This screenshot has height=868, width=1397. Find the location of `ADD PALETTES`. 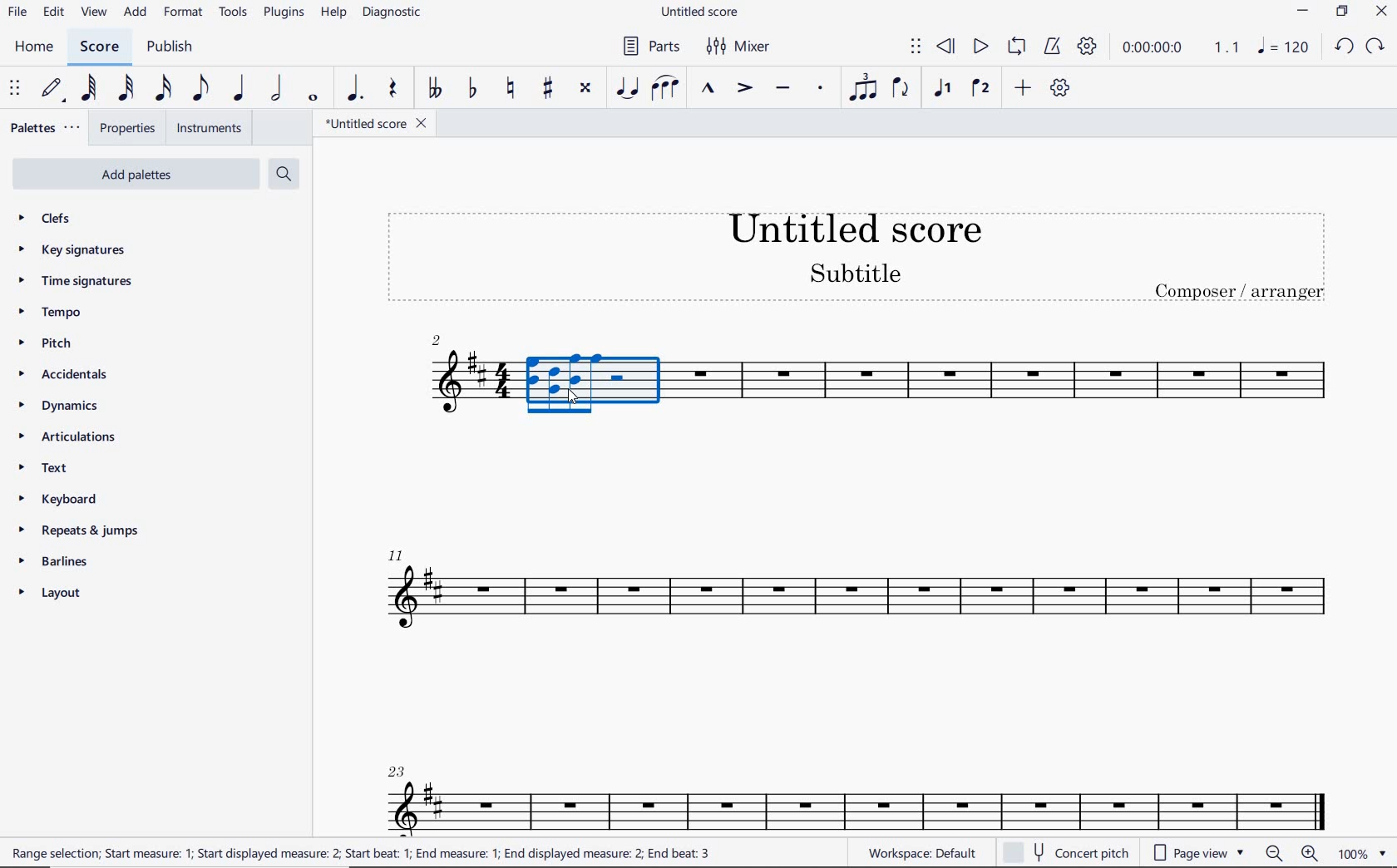

ADD PALETTES is located at coordinates (134, 173).